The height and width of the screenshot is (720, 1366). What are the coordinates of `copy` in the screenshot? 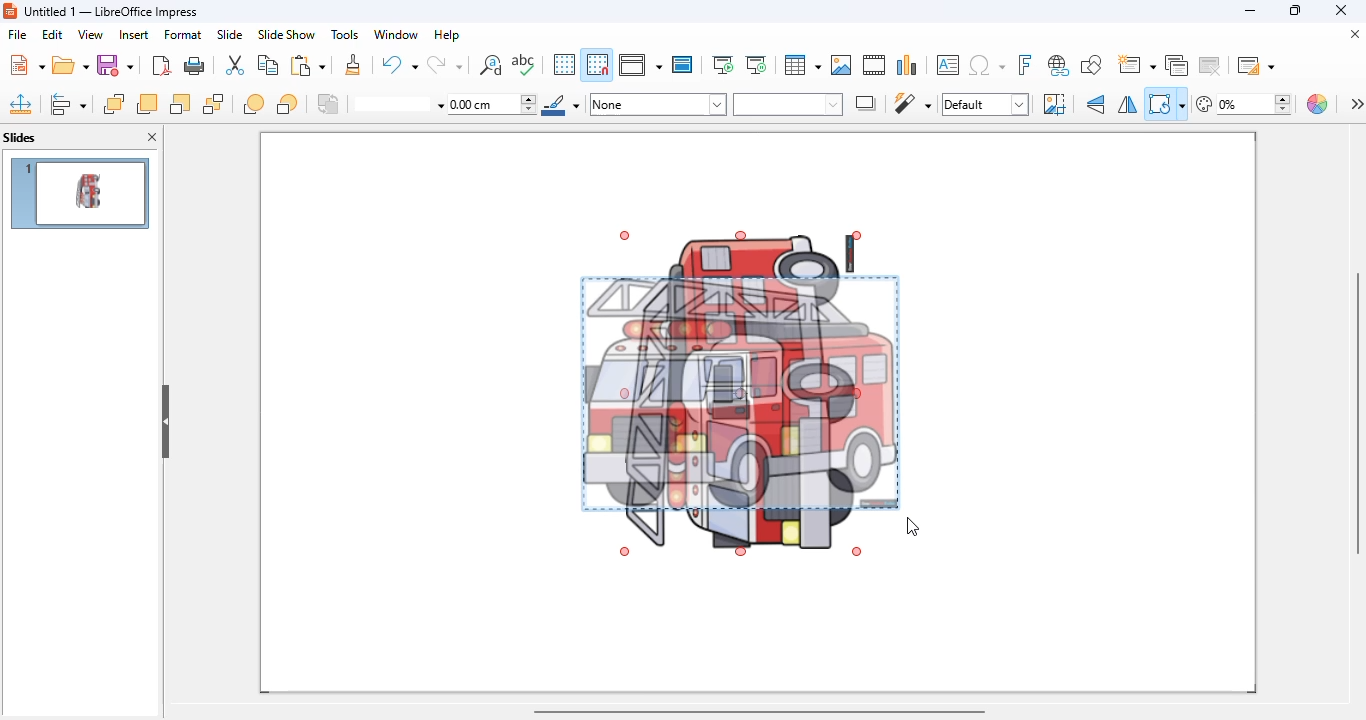 It's located at (268, 65).